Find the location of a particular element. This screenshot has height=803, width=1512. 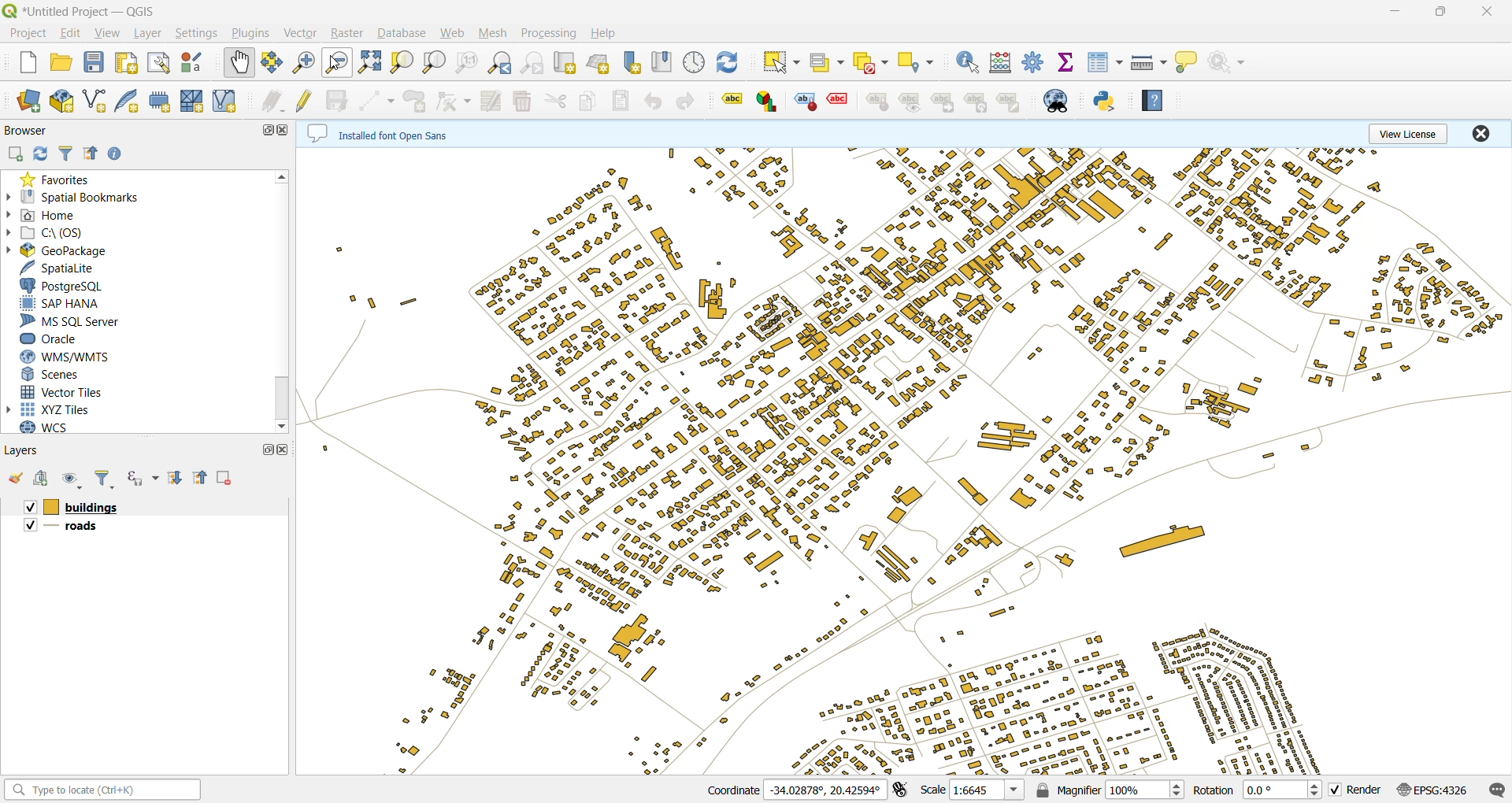

new geopackage layer is located at coordinates (65, 102).